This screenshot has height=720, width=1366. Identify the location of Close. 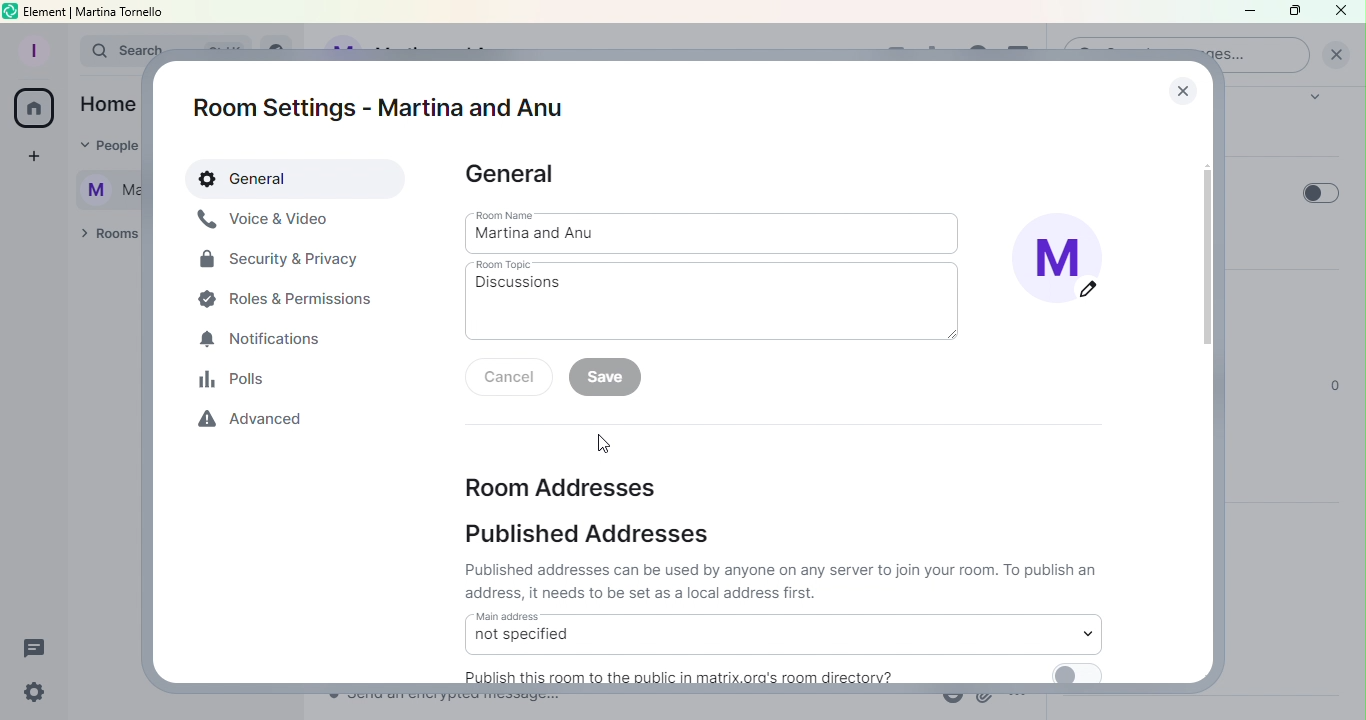
(1178, 85).